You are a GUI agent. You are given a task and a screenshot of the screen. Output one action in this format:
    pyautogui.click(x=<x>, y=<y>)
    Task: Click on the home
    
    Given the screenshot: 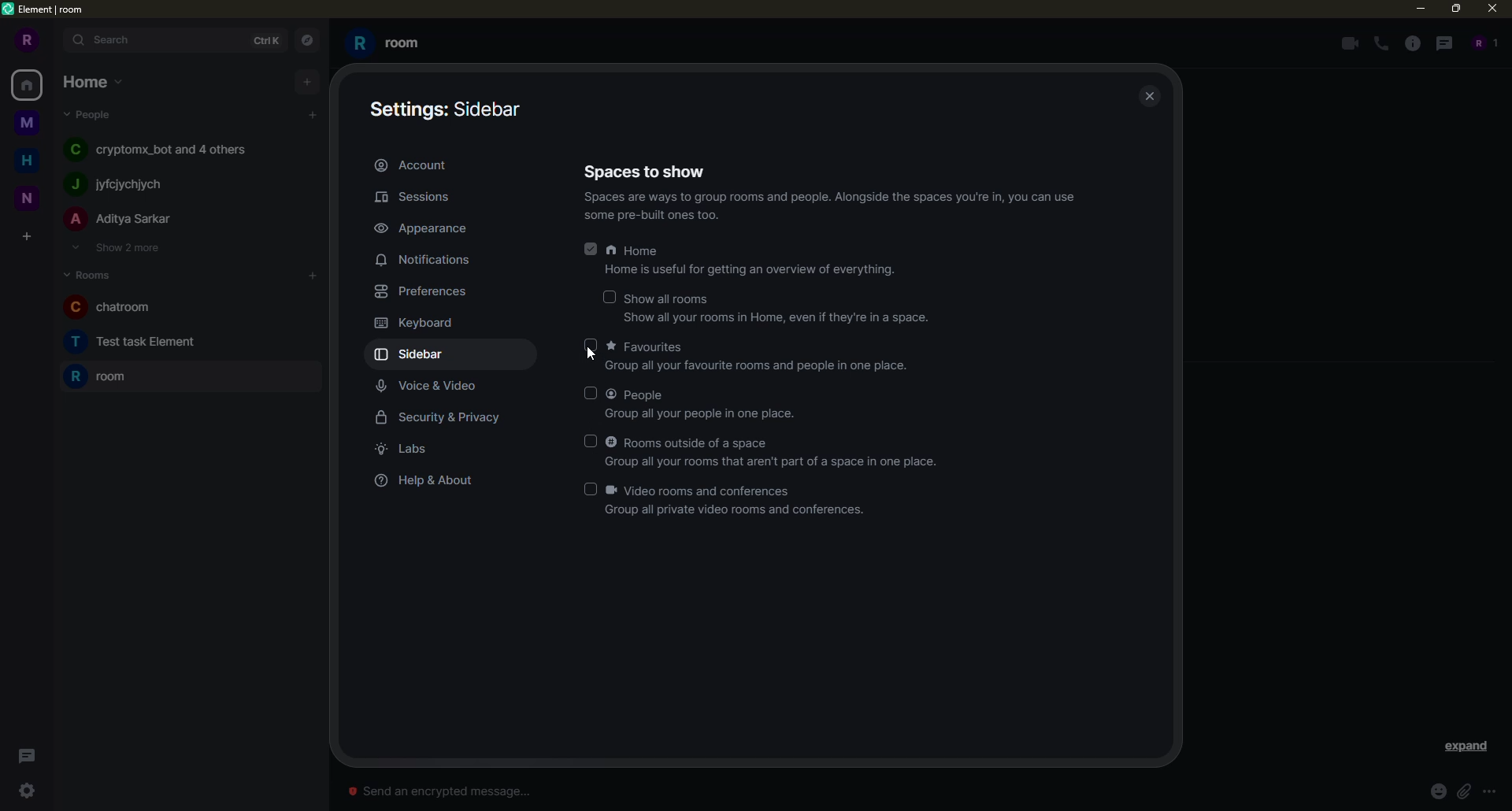 What is the action you would take?
    pyautogui.click(x=91, y=81)
    